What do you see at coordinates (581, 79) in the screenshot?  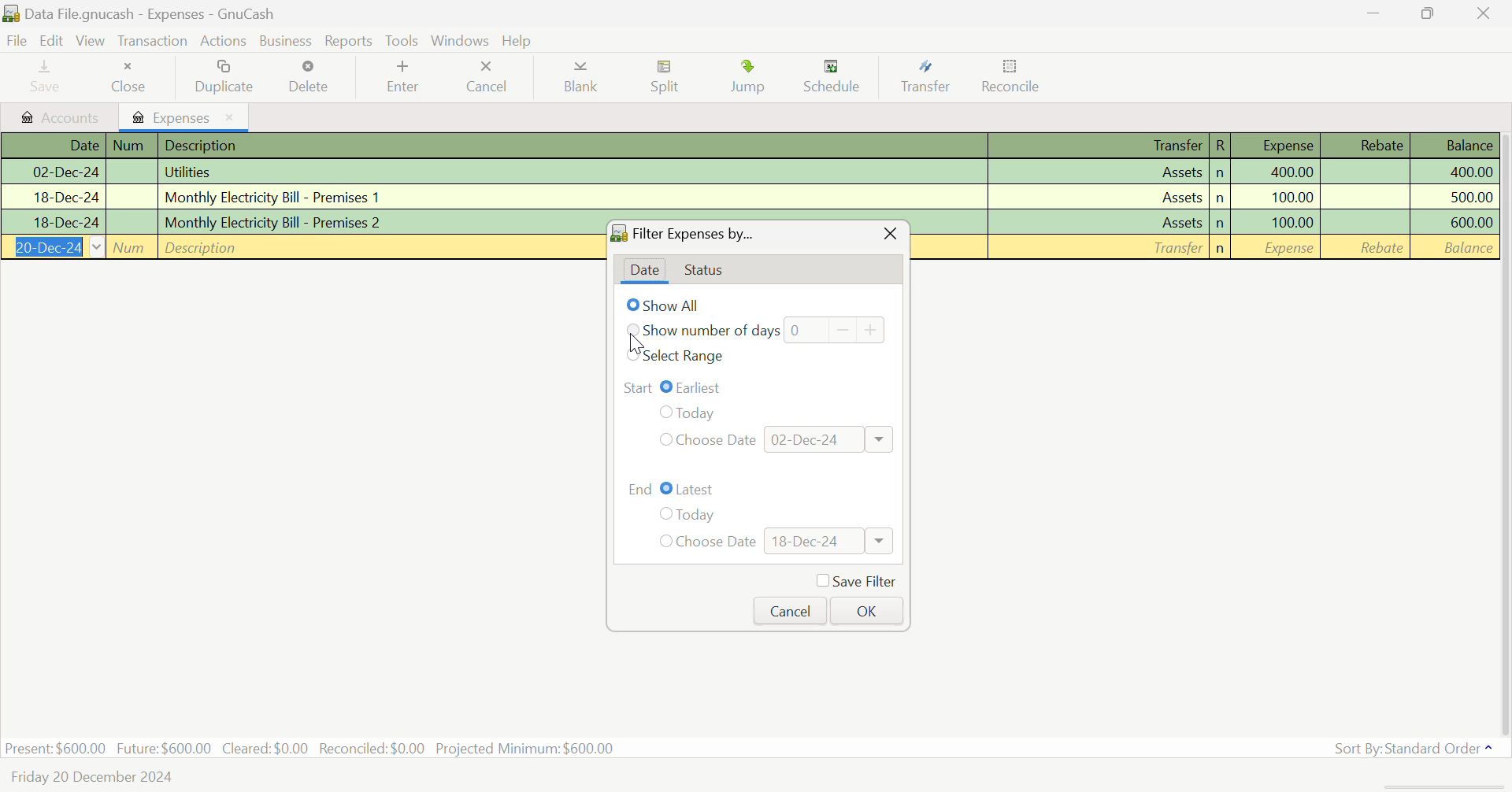 I see `Blank` at bounding box center [581, 79].